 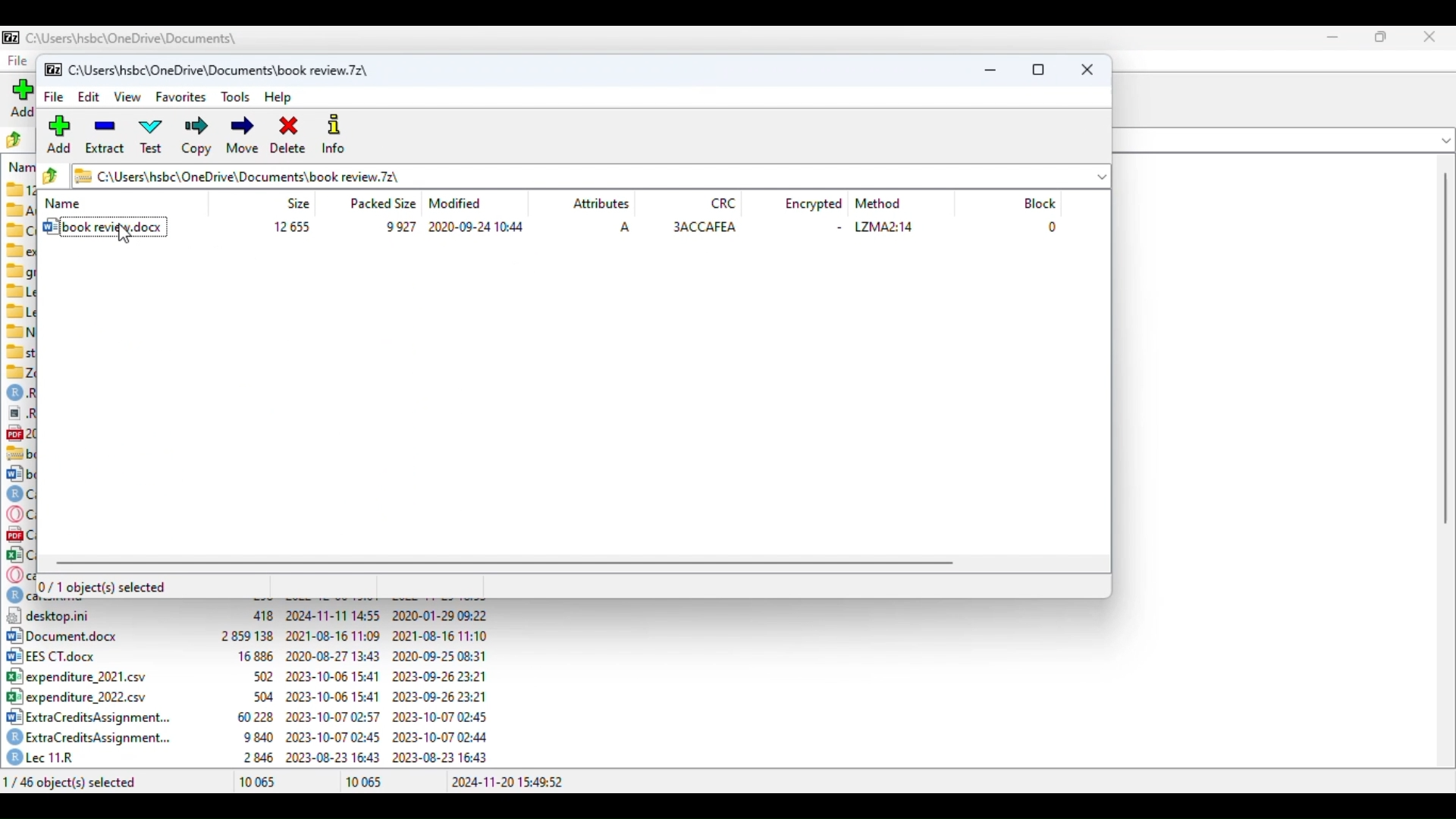 What do you see at coordinates (509, 781) in the screenshot?
I see `2024-11-20 15:49:52` at bounding box center [509, 781].